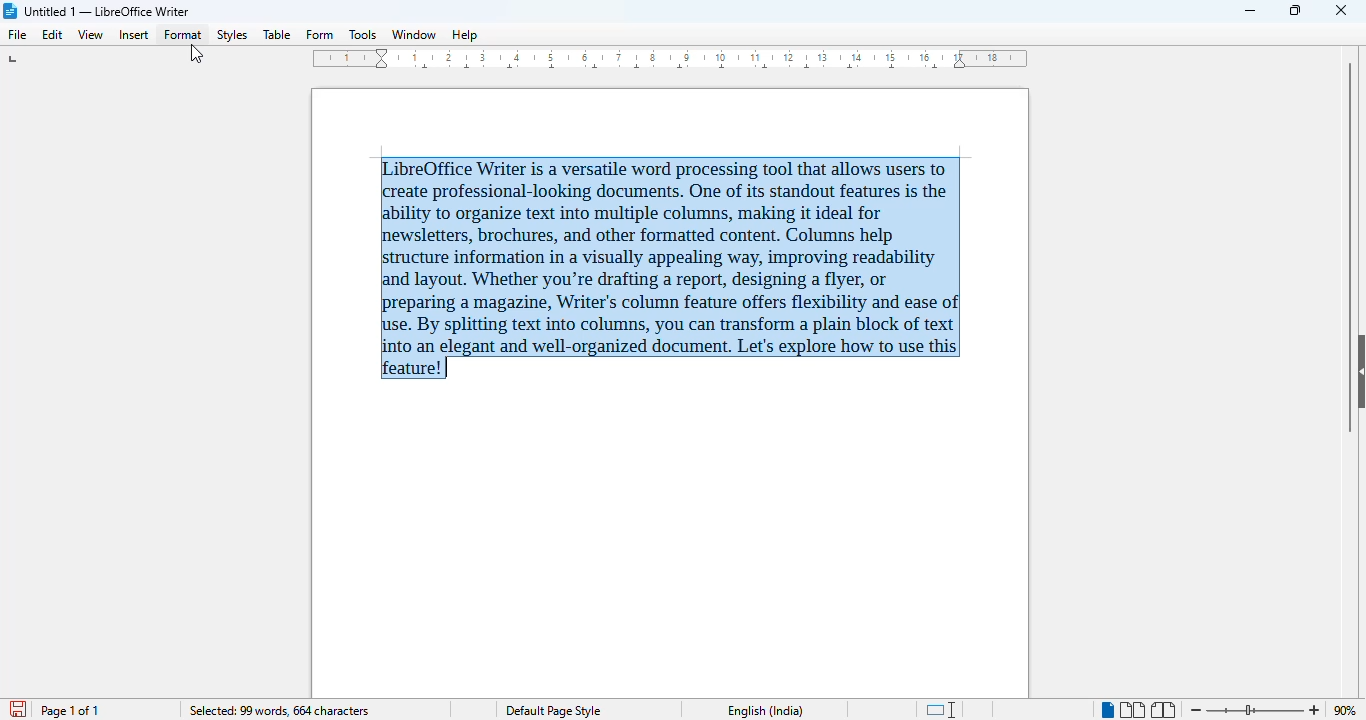 The width and height of the screenshot is (1366, 720). Describe the element at coordinates (465, 35) in the screenshot. I see `help` at that location.